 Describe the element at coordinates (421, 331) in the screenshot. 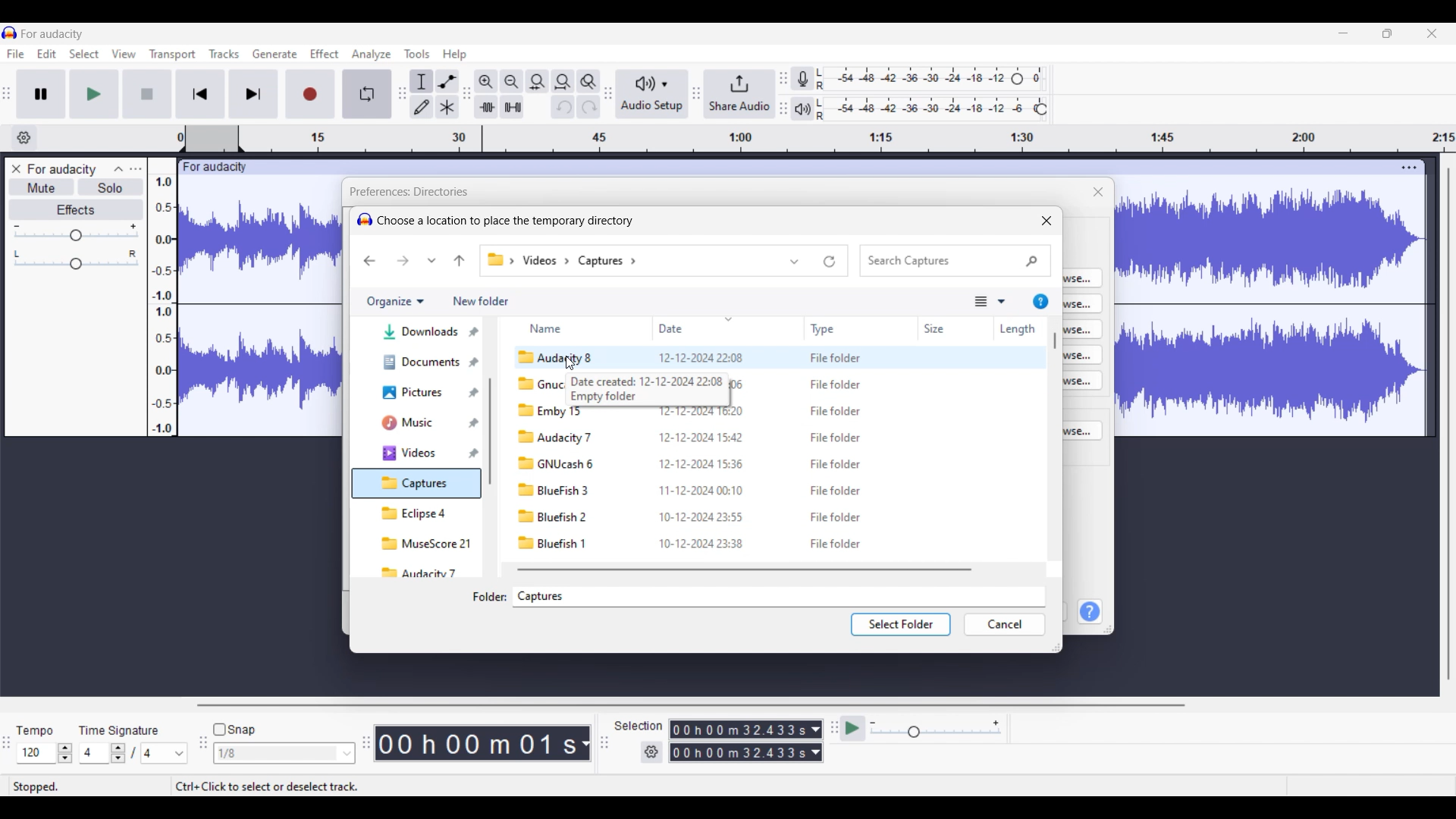

I see `Downloads` at that location.